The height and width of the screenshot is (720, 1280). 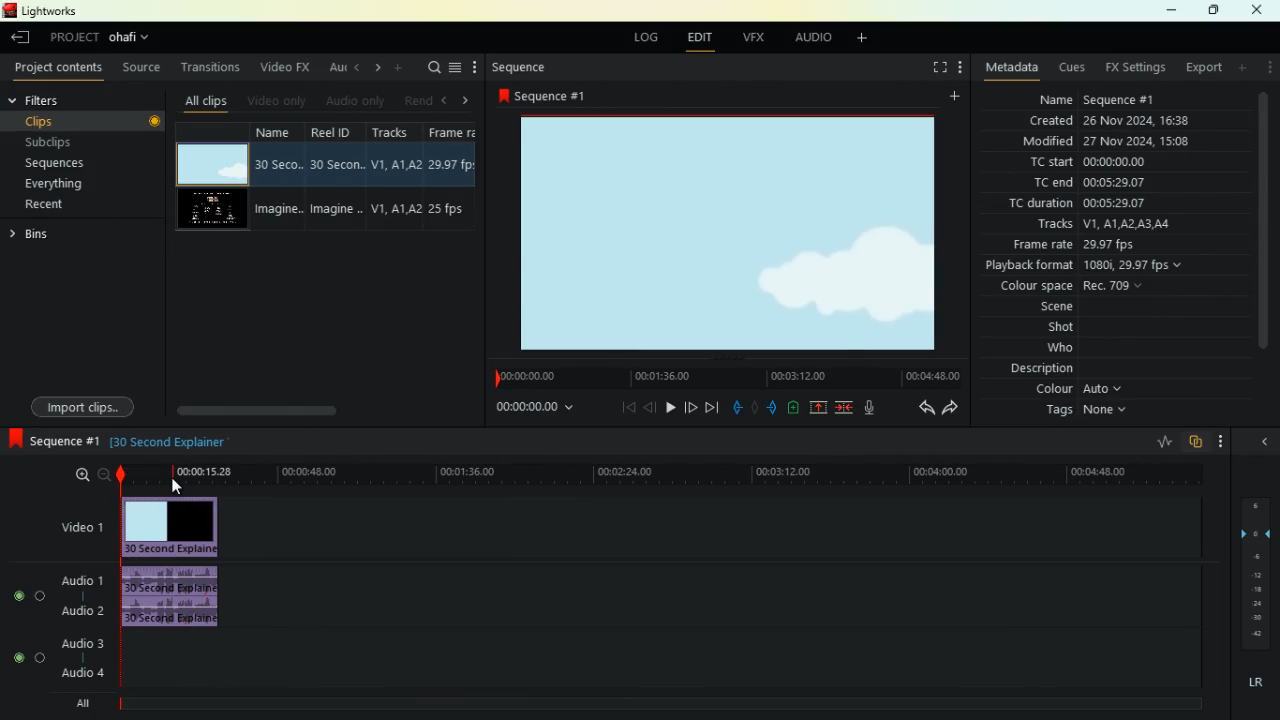 I want to click on audio, so click(x=819, y=38).